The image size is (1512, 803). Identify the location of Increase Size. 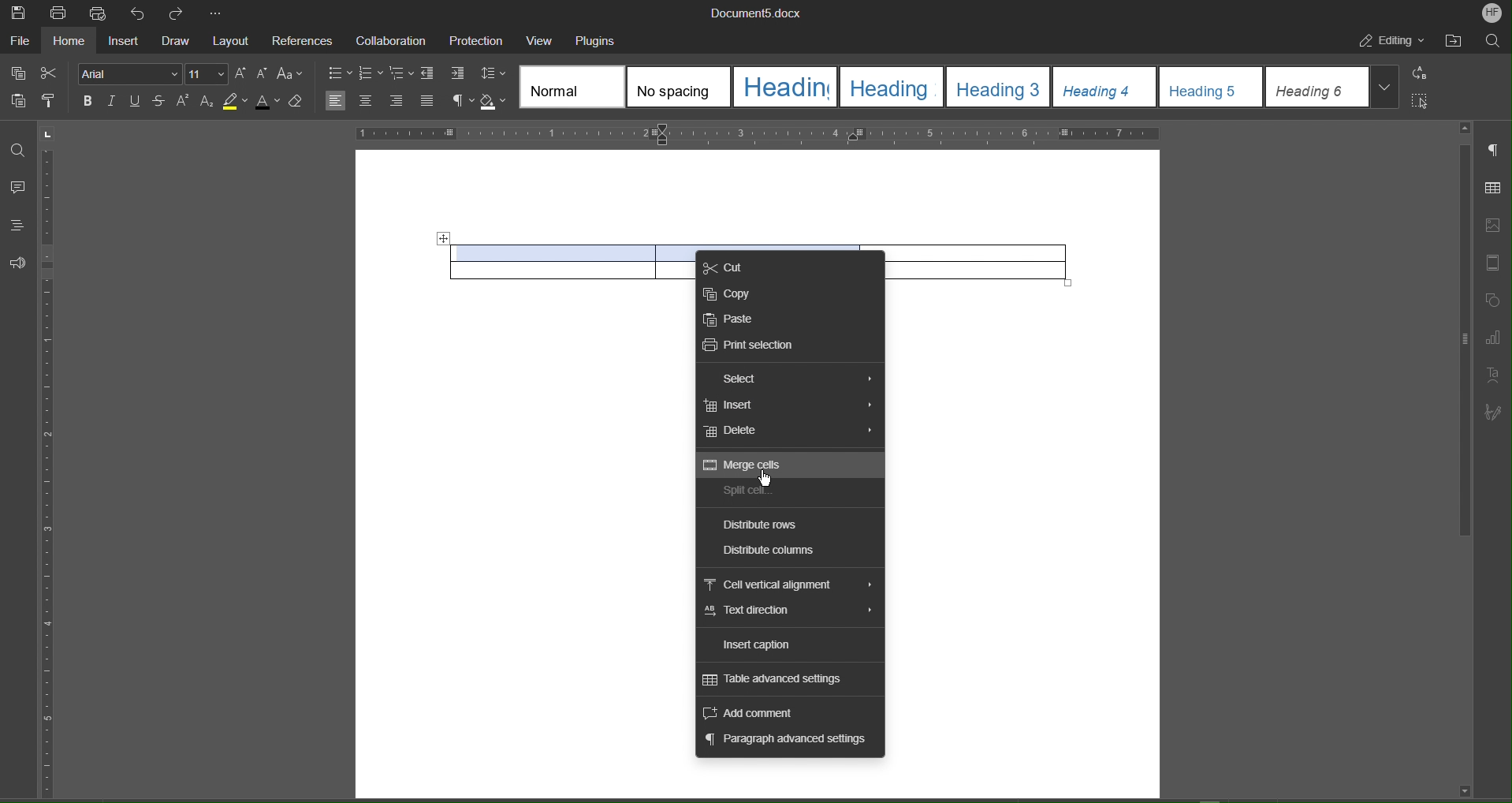
(240, 74).